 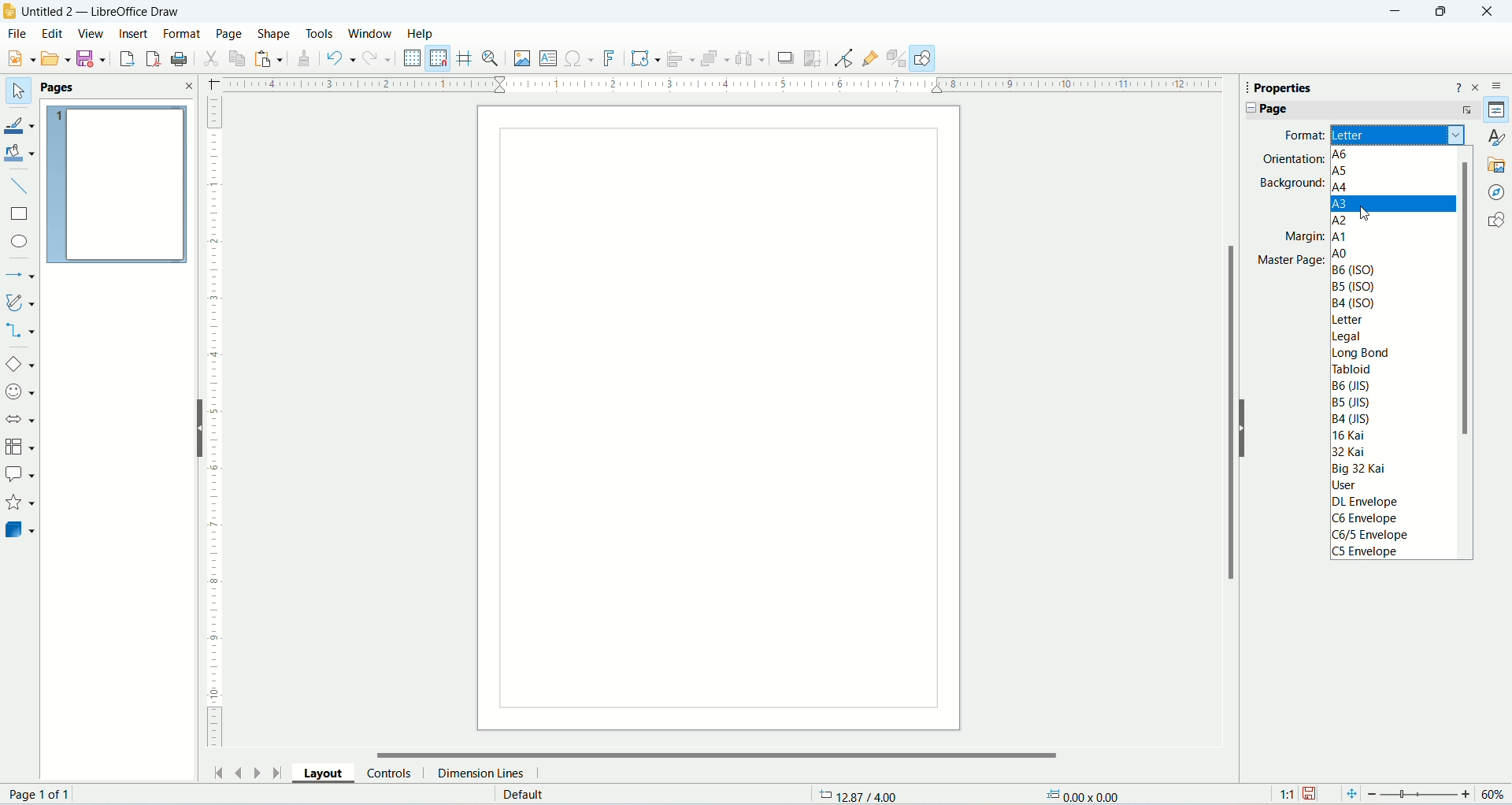 I want to click on shapes, so click(x=1495, y=217).